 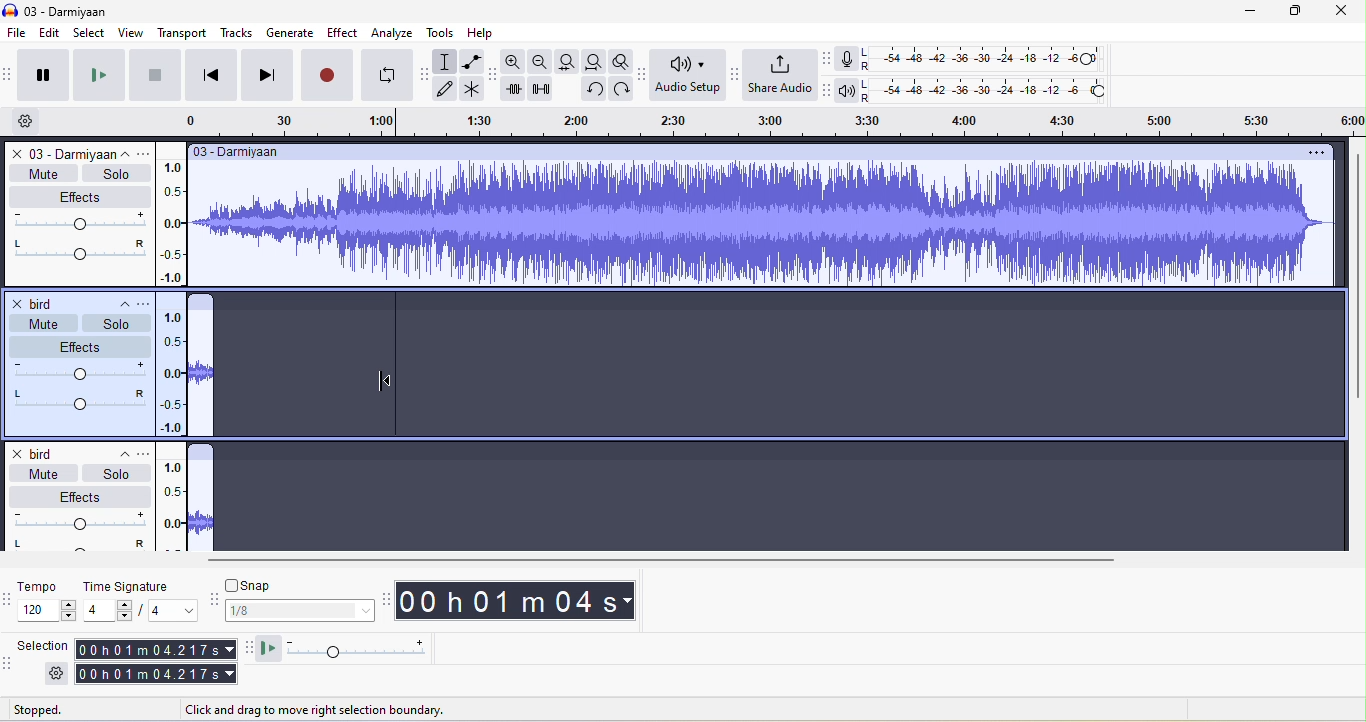 I want to click on value, so click(x=165, y=611).